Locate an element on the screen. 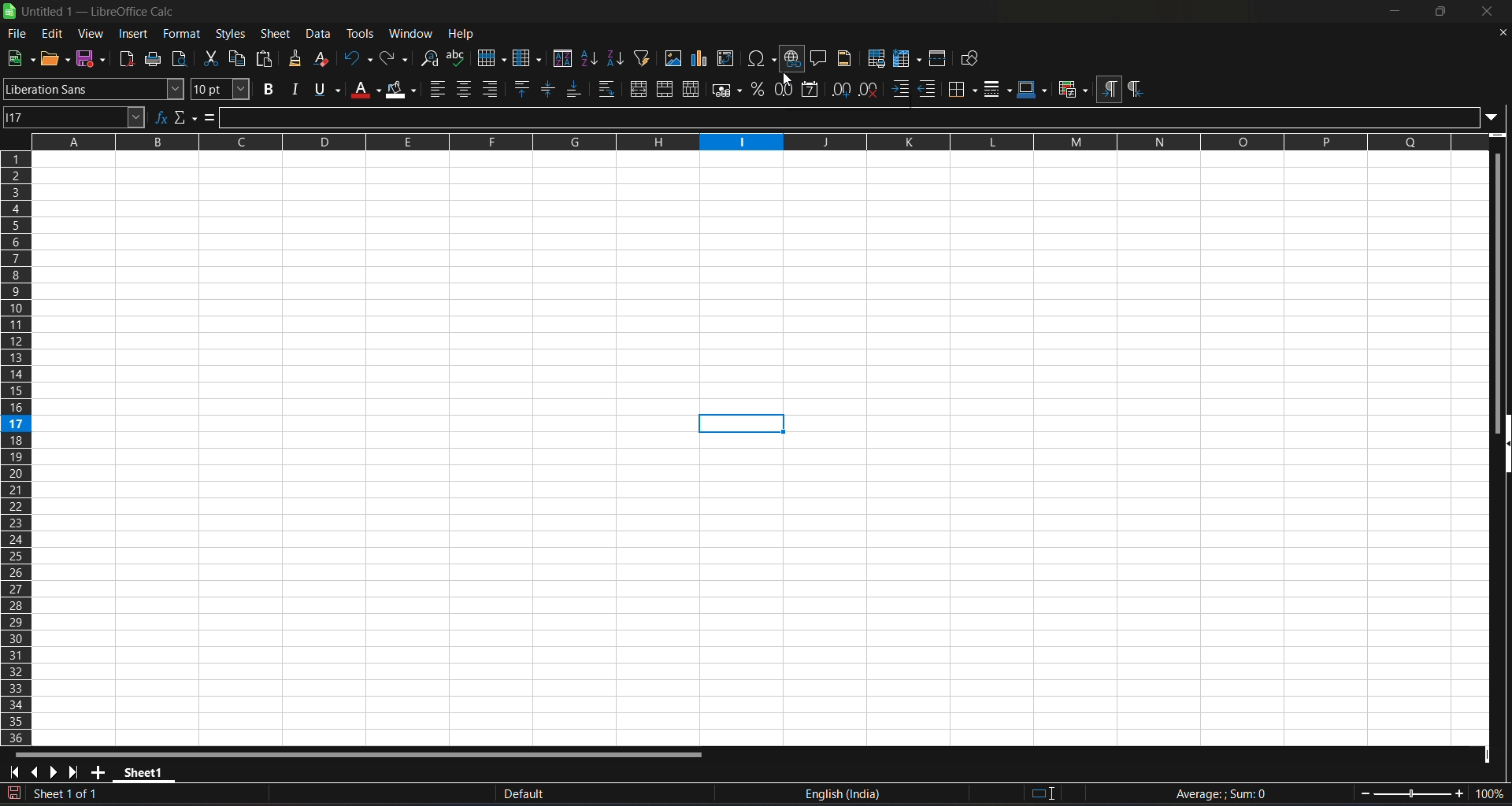 The image size is (1512, 806). sort is located at coordinates (563, 57).